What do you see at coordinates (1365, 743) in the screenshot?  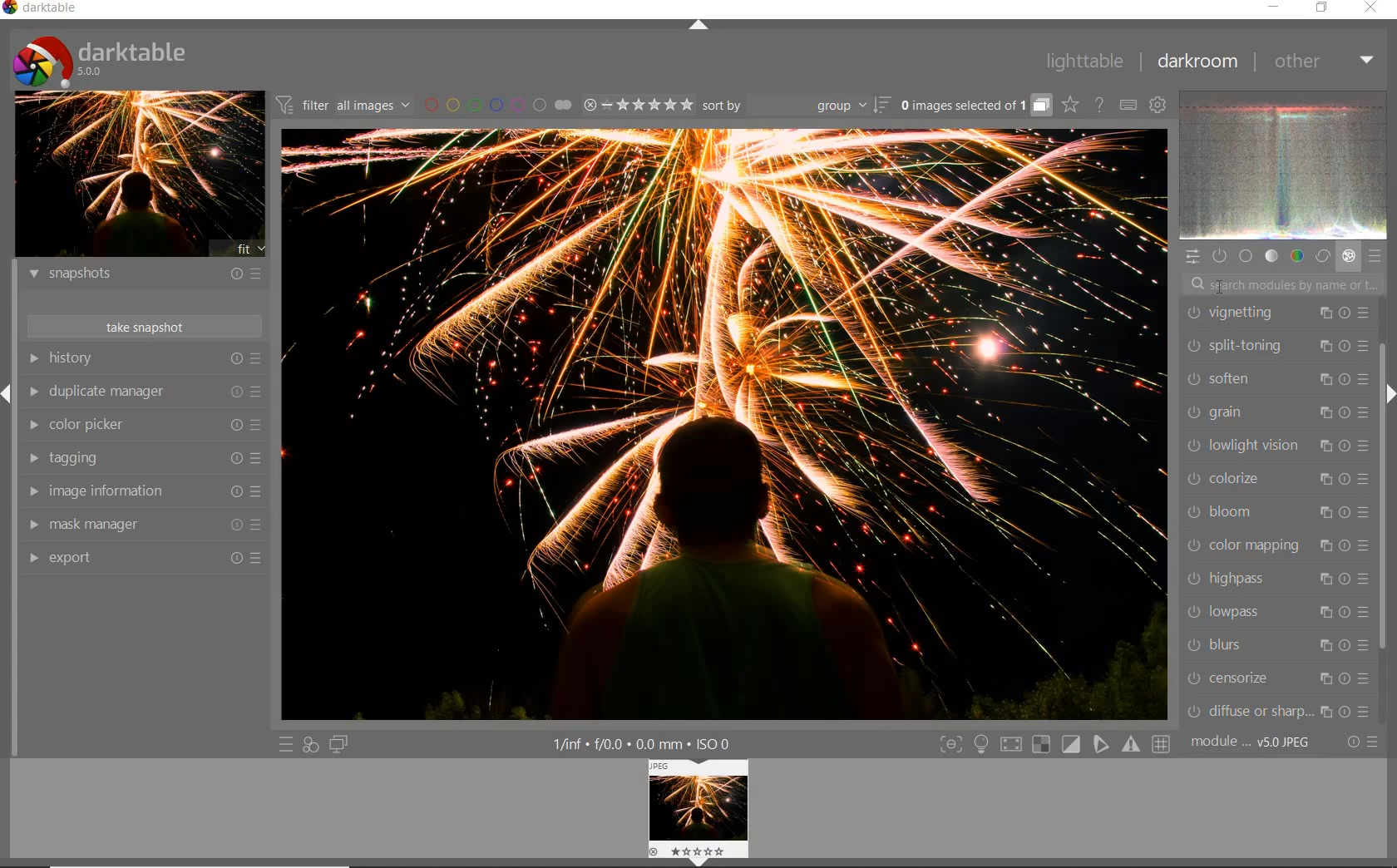 I see `reset or presets and preferences` at bounding box center [1365, 743].